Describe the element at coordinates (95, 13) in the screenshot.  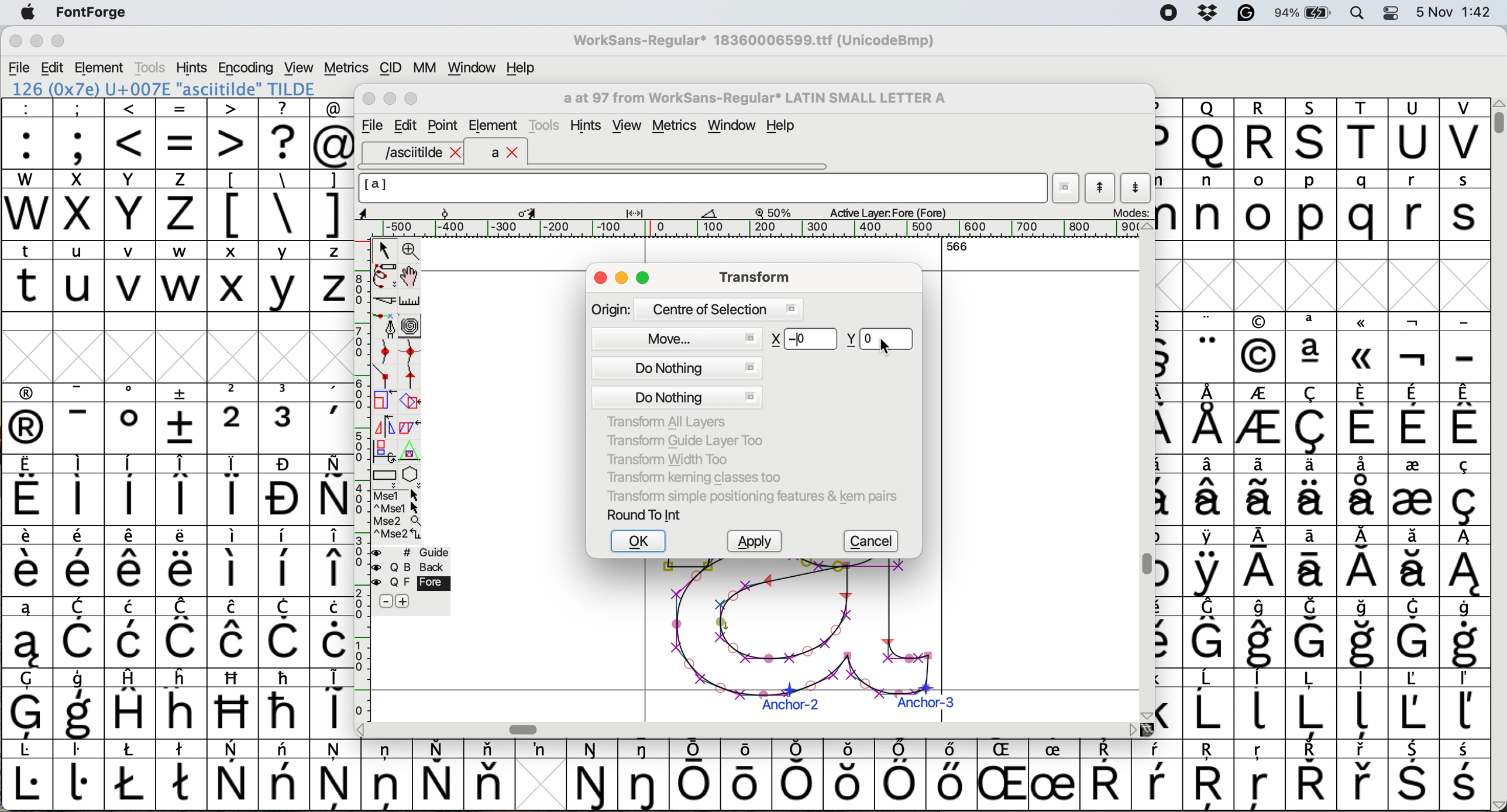
I see `fontforge` at that location.